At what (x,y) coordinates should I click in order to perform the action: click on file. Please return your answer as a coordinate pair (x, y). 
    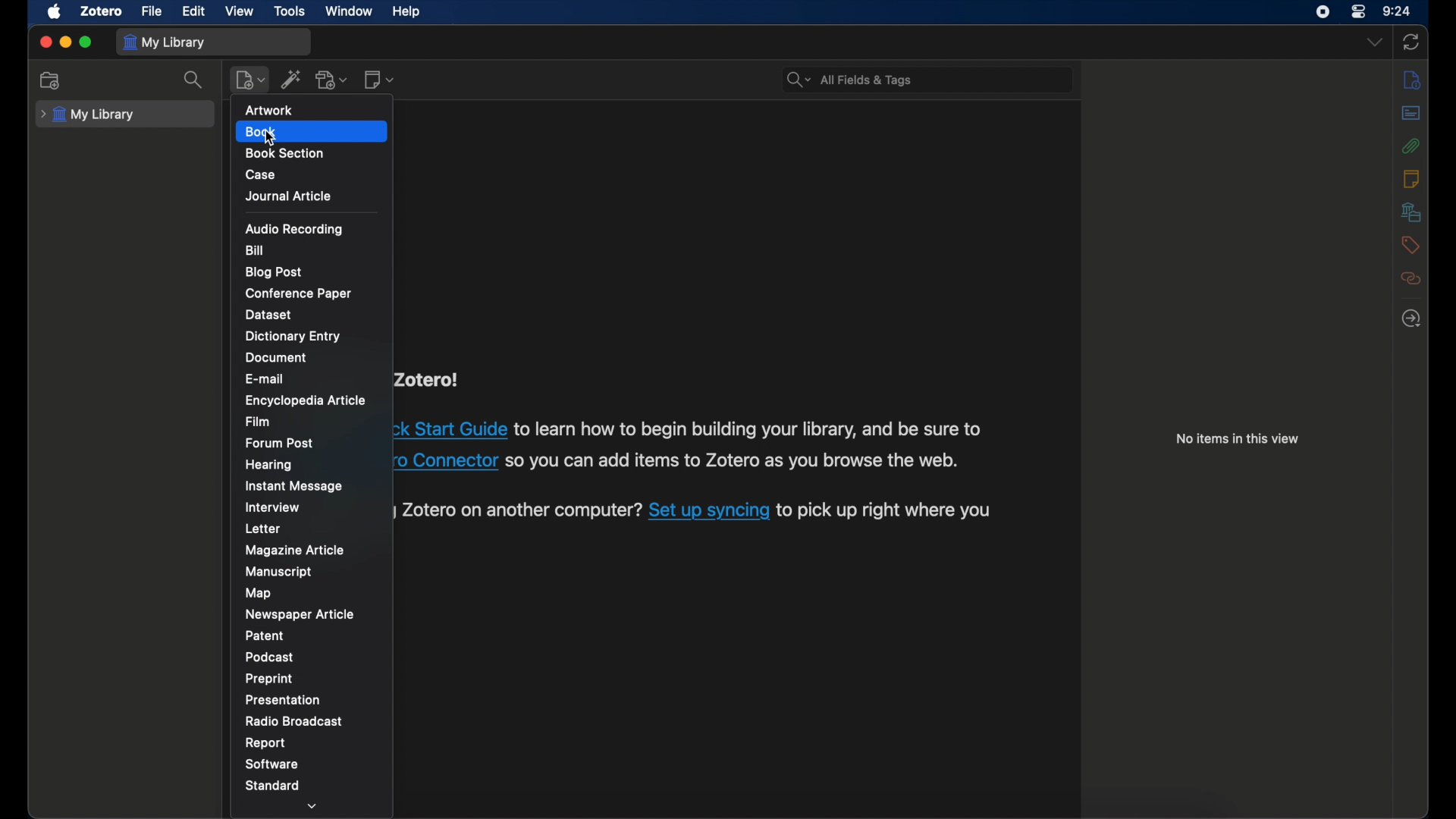
    Looking at the image, I should click on (152, 12).